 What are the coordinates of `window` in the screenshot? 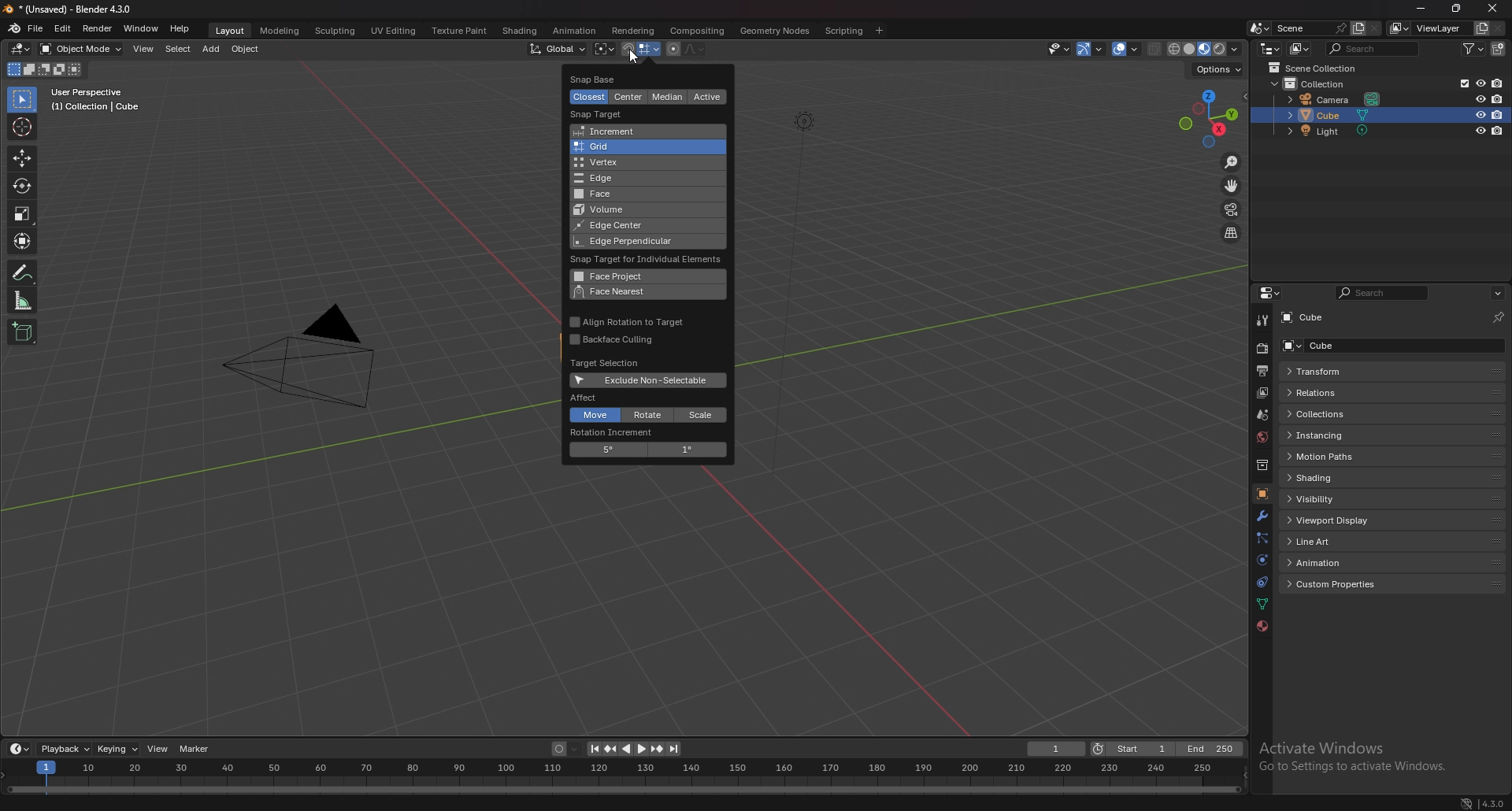 It's located at (140, 28).